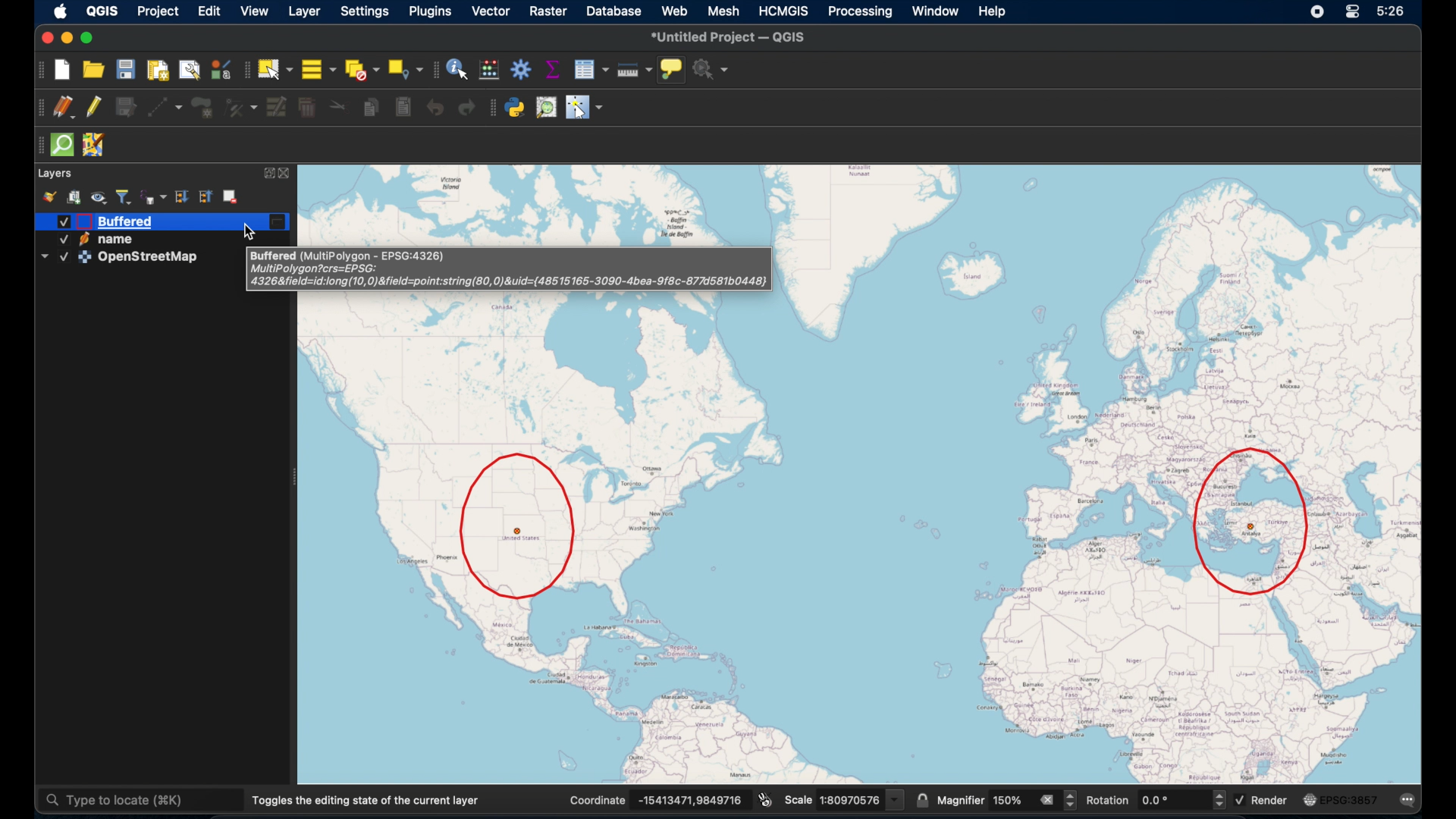 Image resolution: width=1456 pixels, height=819 pixels. Describe the element at coordinates (240, 106) in the screenshot. I see `vertex tool` at that location.